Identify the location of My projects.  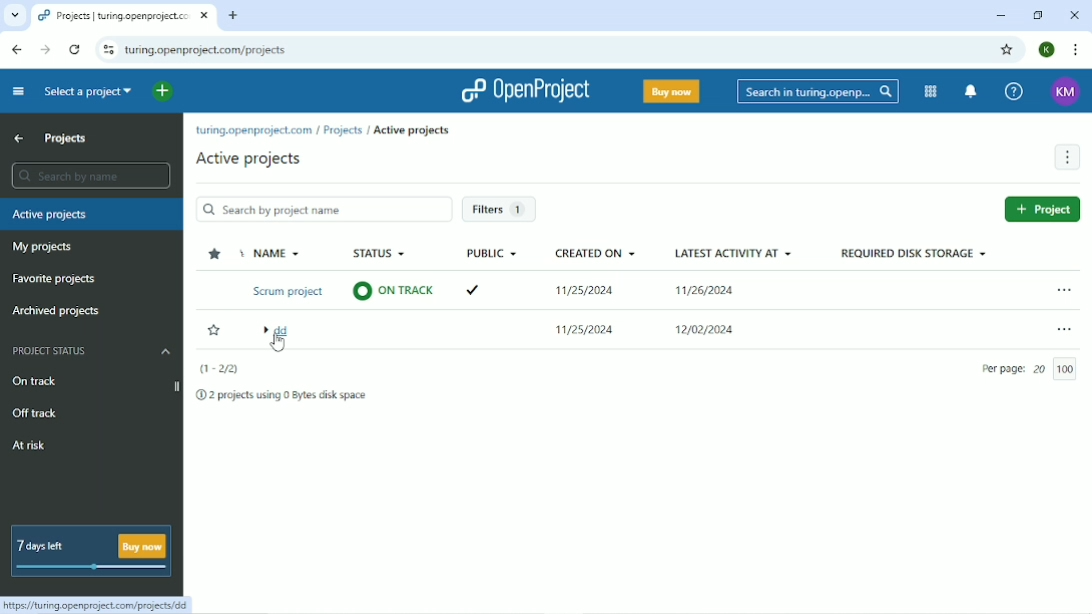
(47, 247).